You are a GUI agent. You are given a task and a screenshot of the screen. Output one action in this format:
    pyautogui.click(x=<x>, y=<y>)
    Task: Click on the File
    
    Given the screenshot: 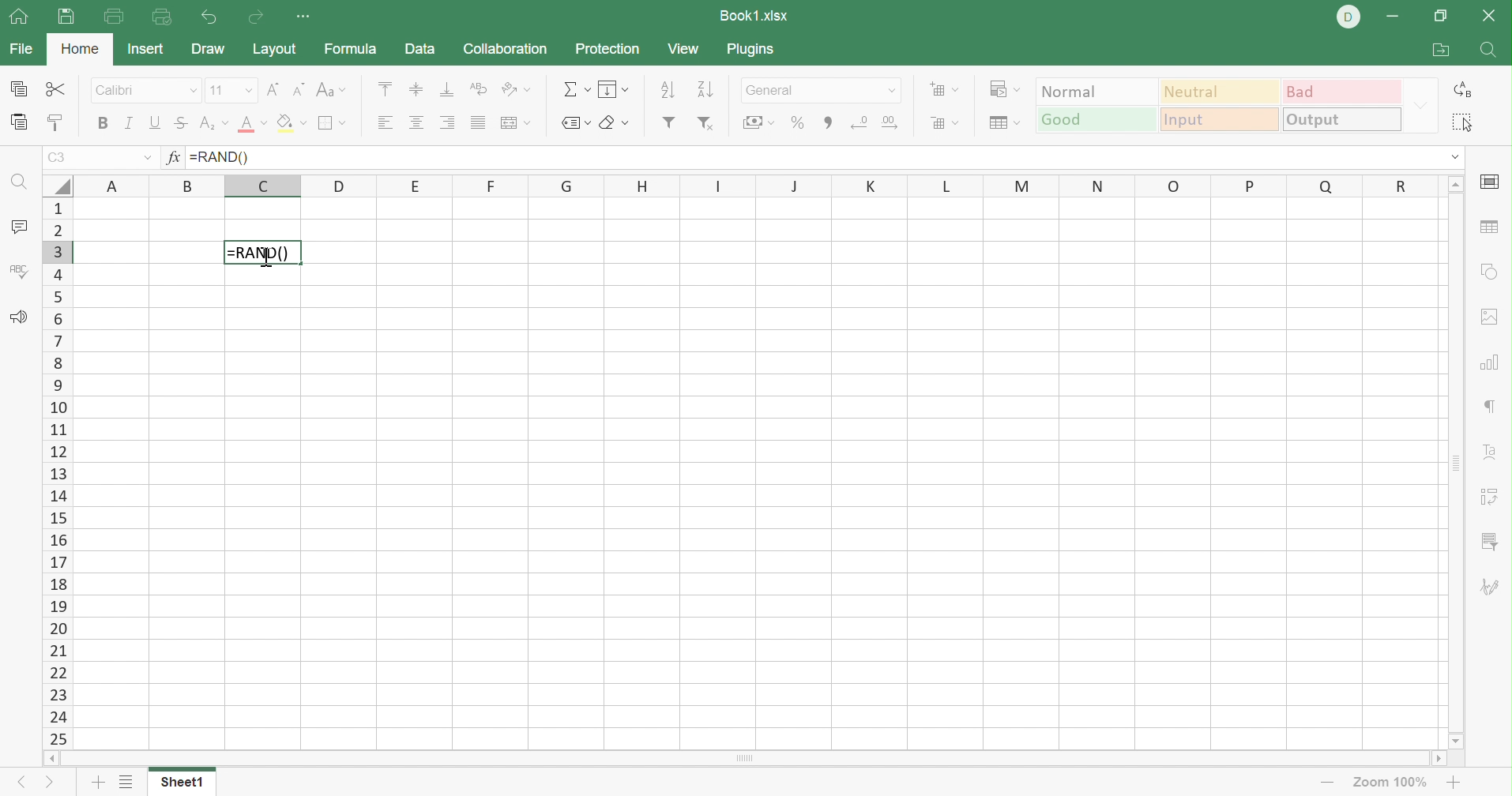 What is the action you would take?
    pyautogui.click(x=21, y=49)
    